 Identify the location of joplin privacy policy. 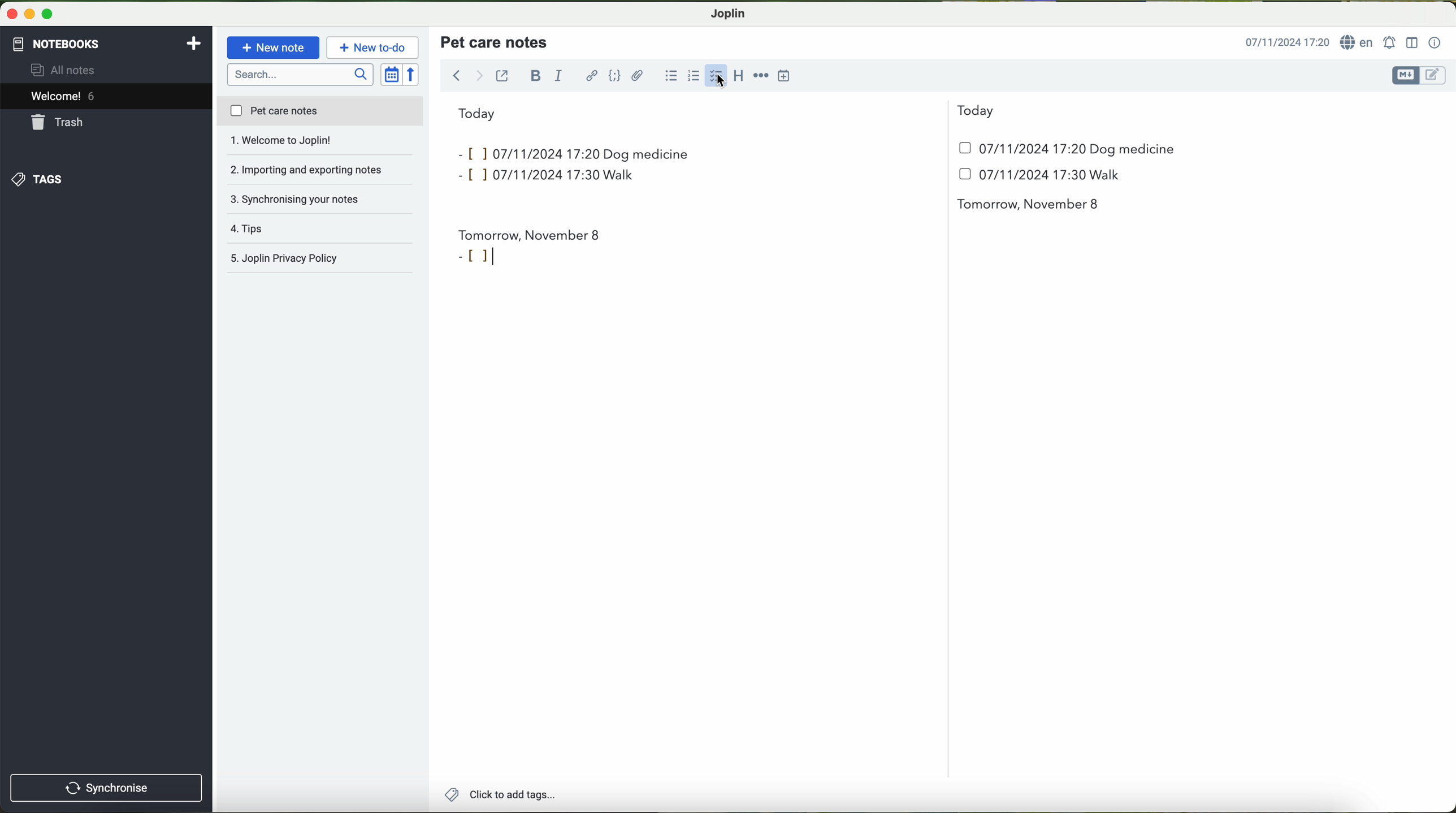
(314, 260).